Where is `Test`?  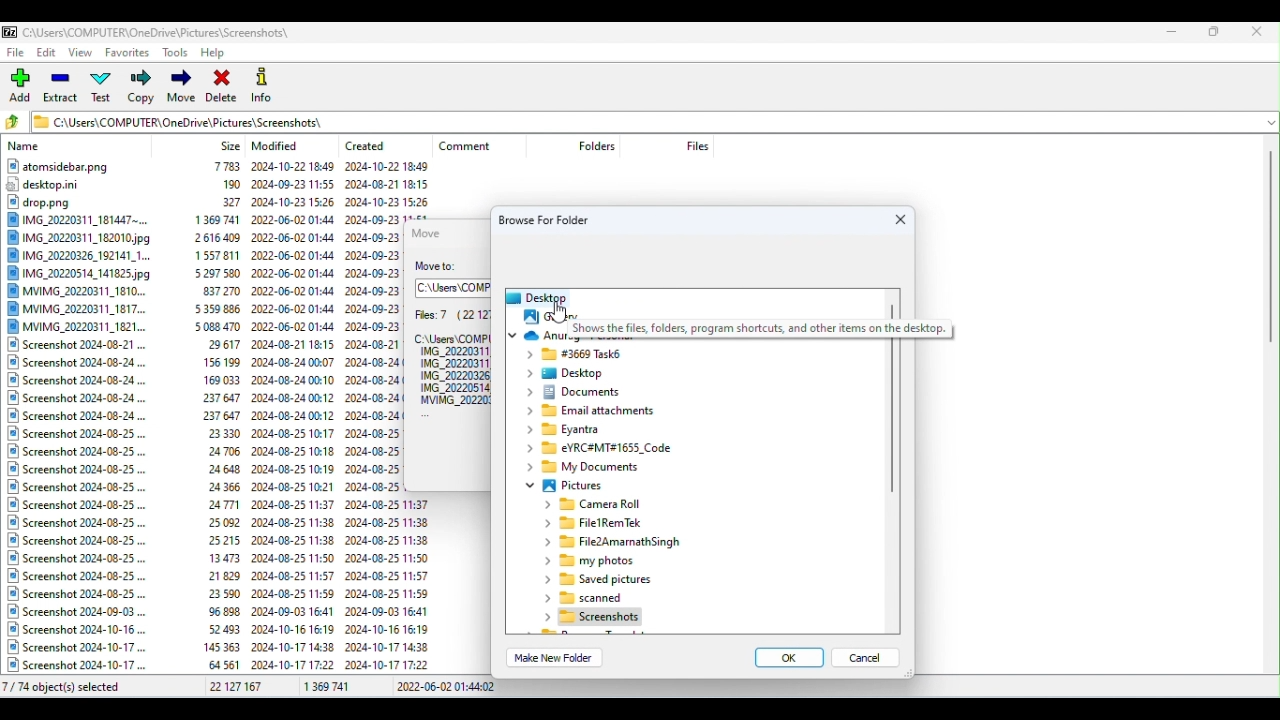 Test is located at coordinates (105, 89).